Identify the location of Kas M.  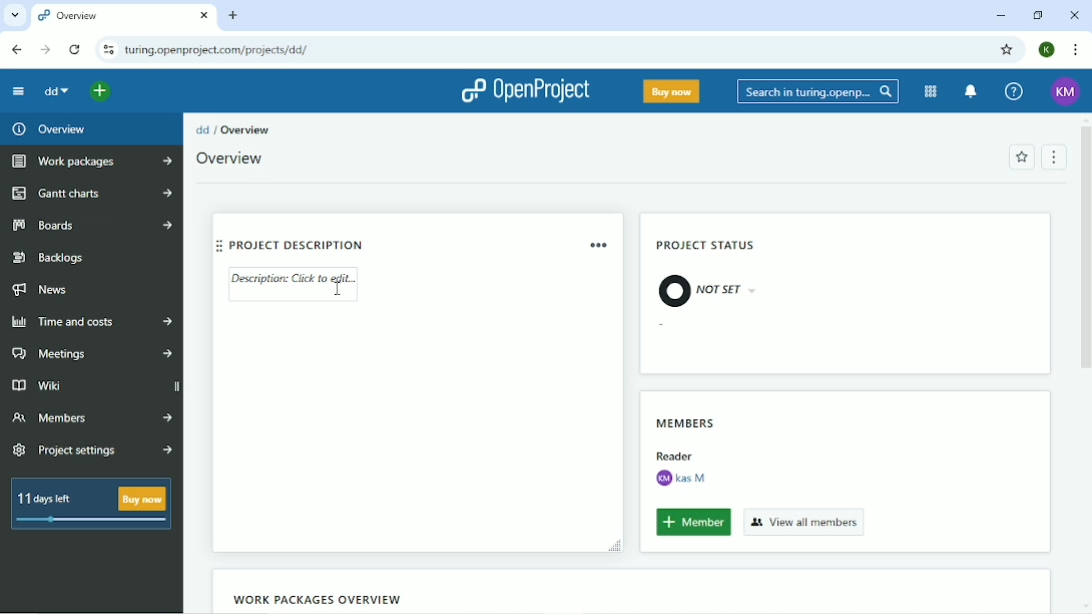
(680, 478).